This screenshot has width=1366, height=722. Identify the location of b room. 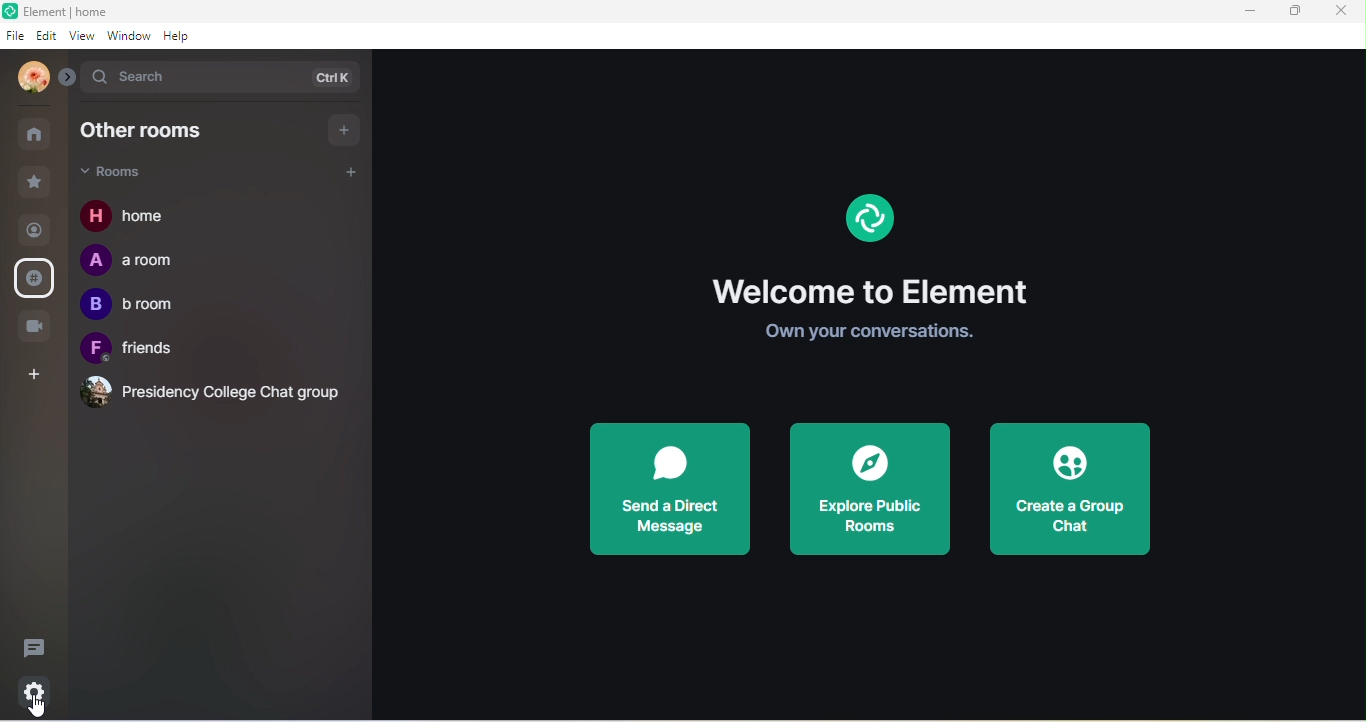
(129, 304).